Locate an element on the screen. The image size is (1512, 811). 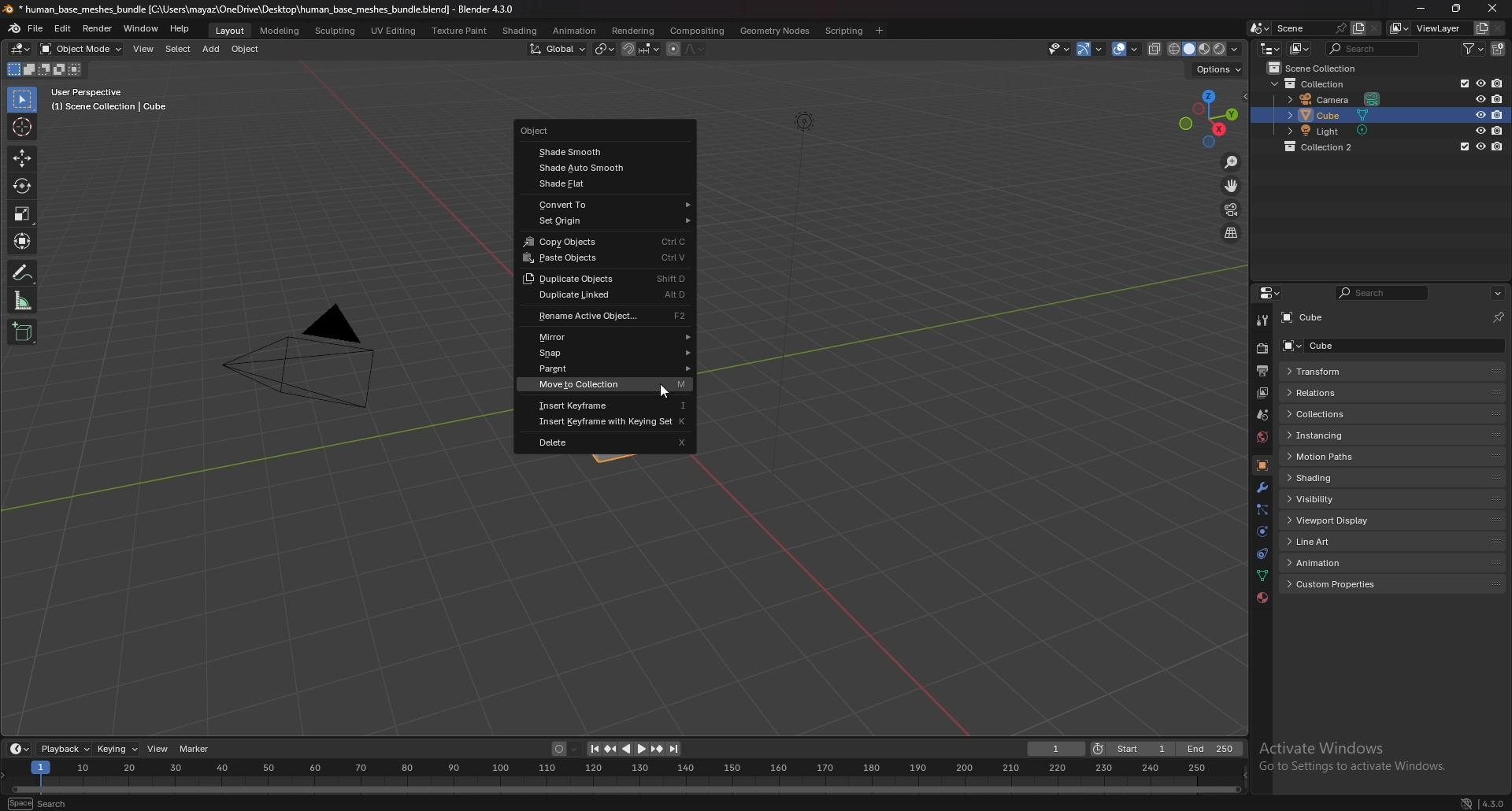
jump to endpoint is located at coordinates (593, 749).